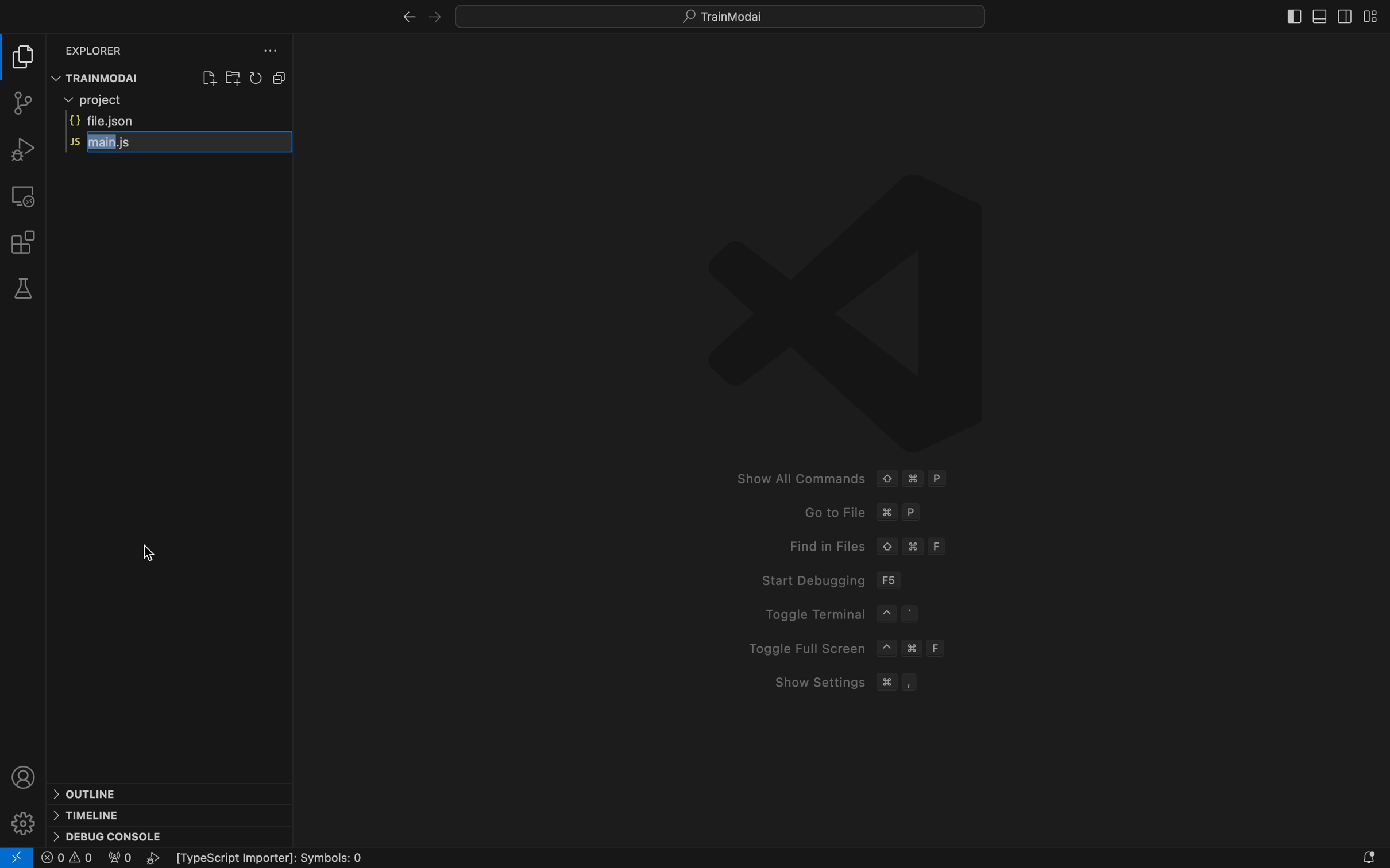 This screenshot has height=868, width=1390. Describe the element at coordinates (842, 645) in the screenshot. I see `Toggle Full Screen` at that location.